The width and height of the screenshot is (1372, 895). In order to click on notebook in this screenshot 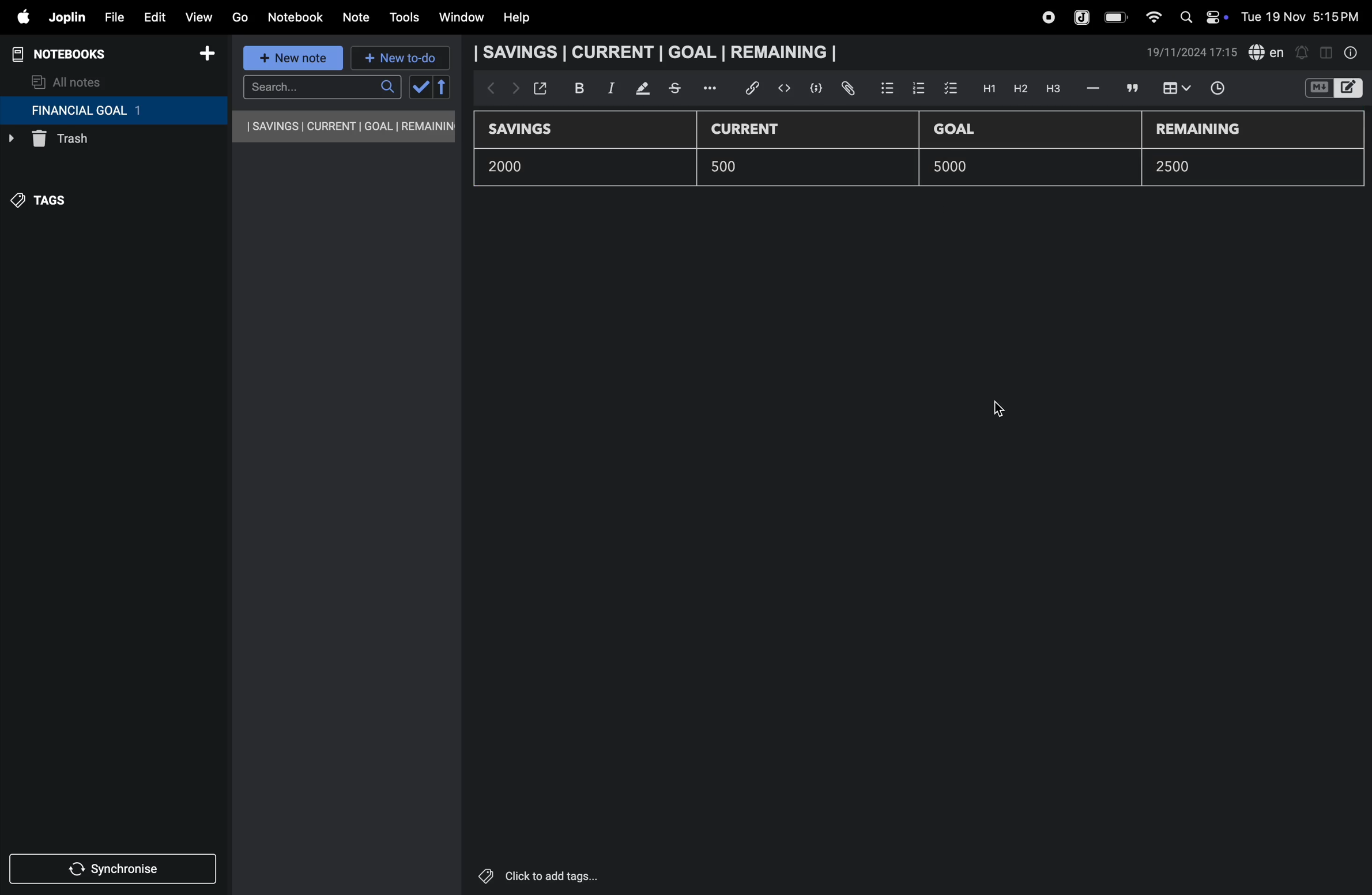, I will do `click(295, 17)`.